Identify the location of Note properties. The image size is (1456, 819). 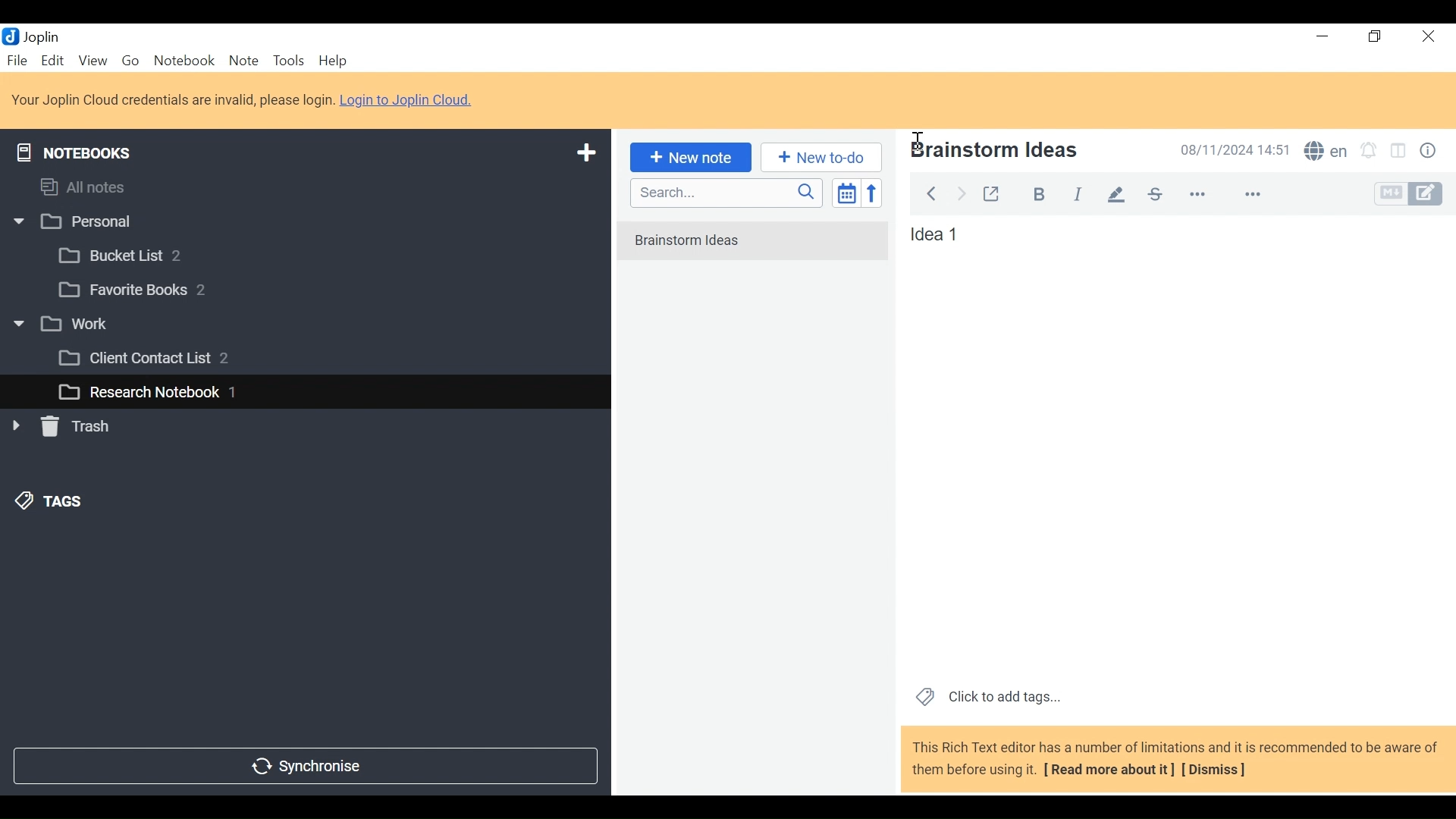
(1431, 152).